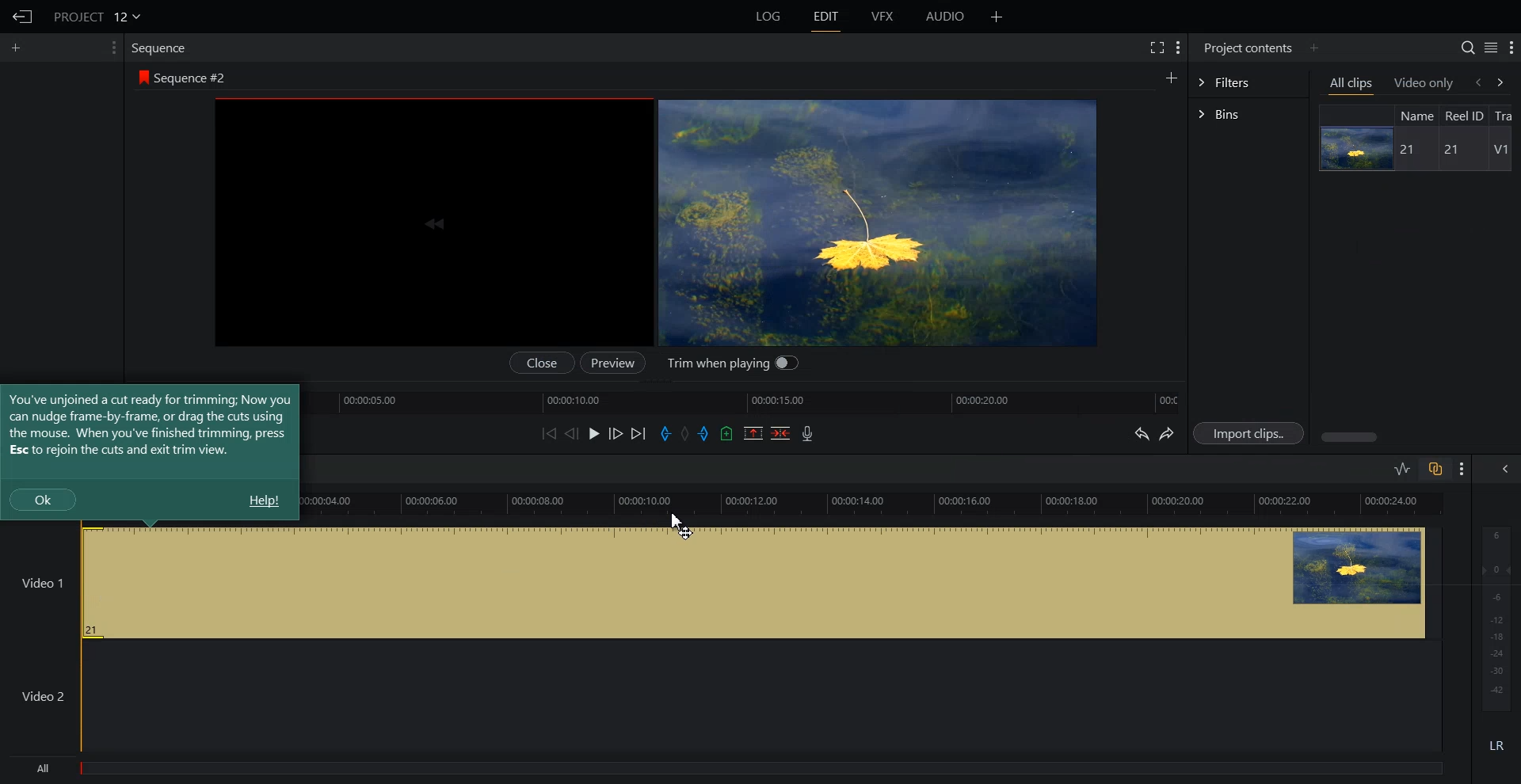  I want to click on Help!, so click(263, 500).